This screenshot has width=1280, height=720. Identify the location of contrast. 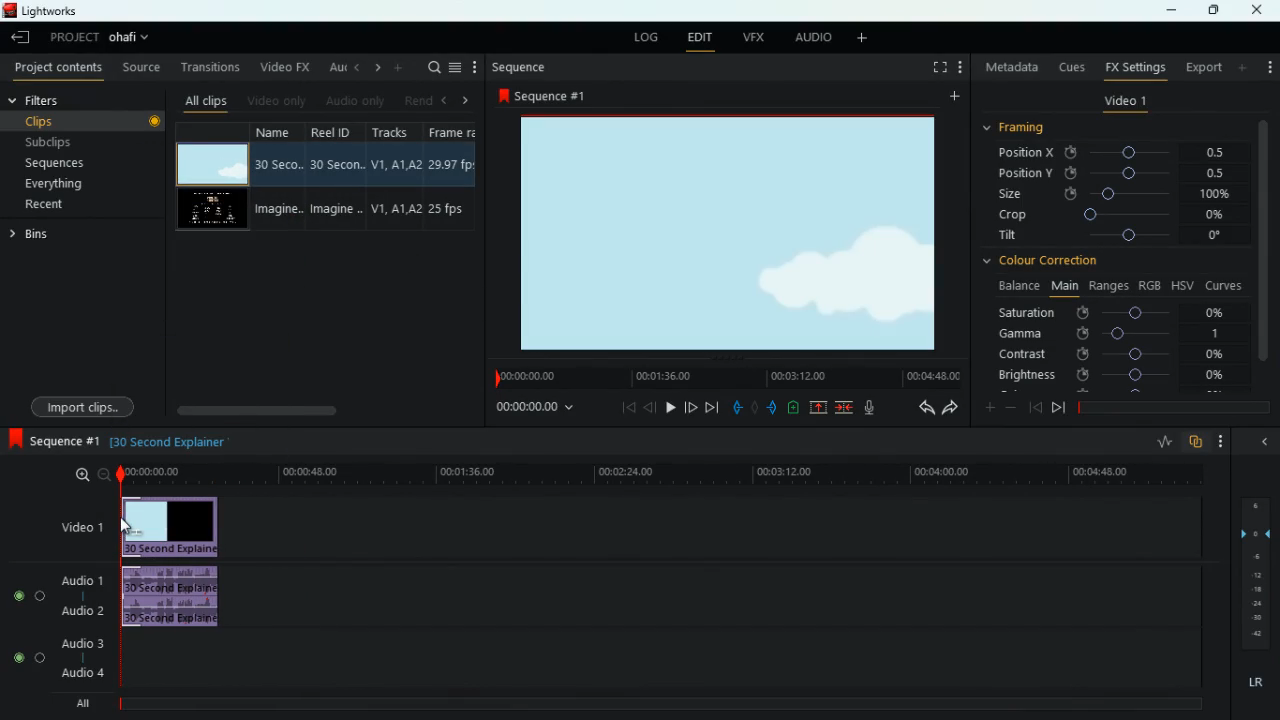
(1110, 355).